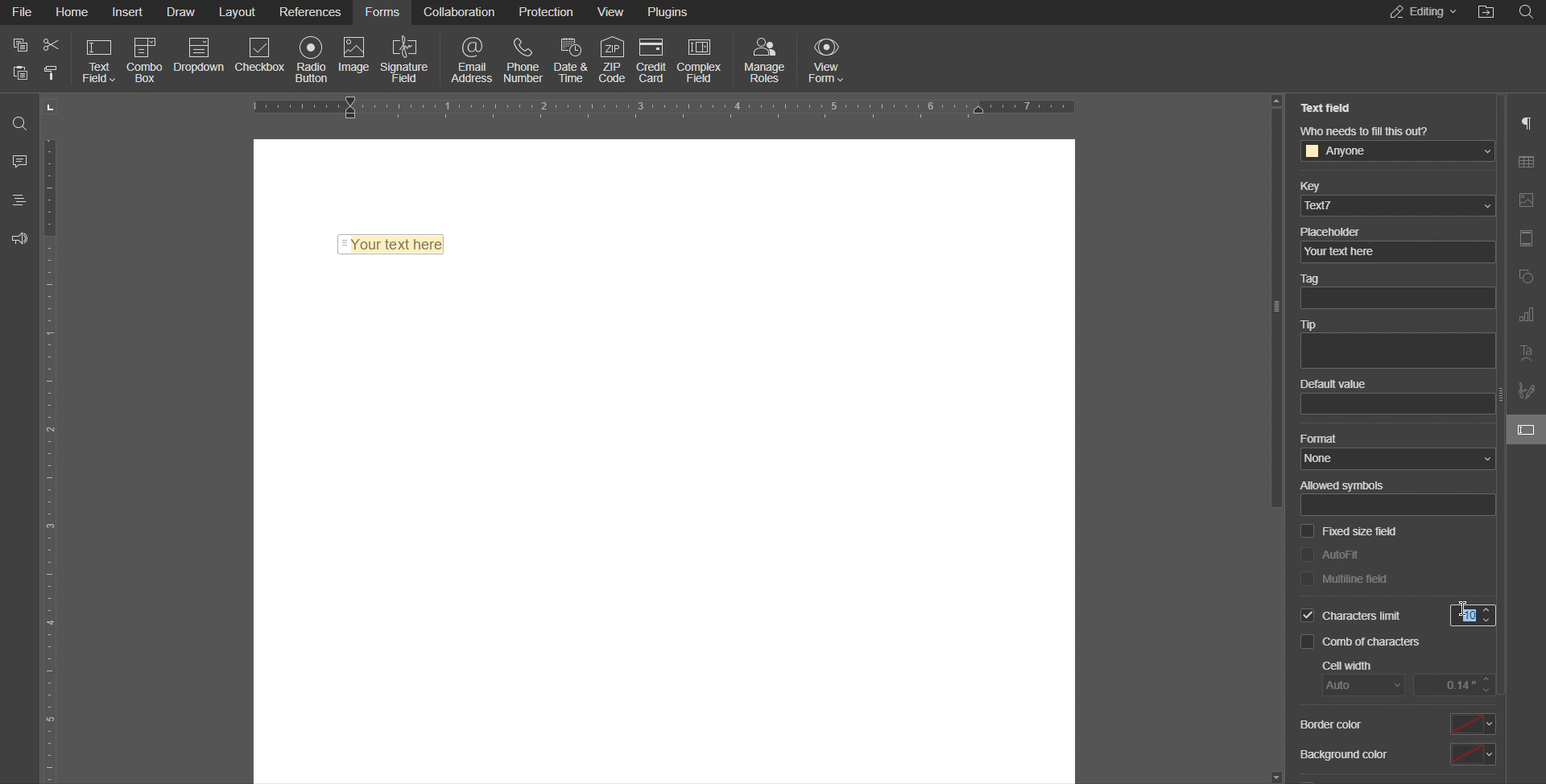  Describe the element at coordinates (240, 13) in the screenshot. I see `Layout` at that location.